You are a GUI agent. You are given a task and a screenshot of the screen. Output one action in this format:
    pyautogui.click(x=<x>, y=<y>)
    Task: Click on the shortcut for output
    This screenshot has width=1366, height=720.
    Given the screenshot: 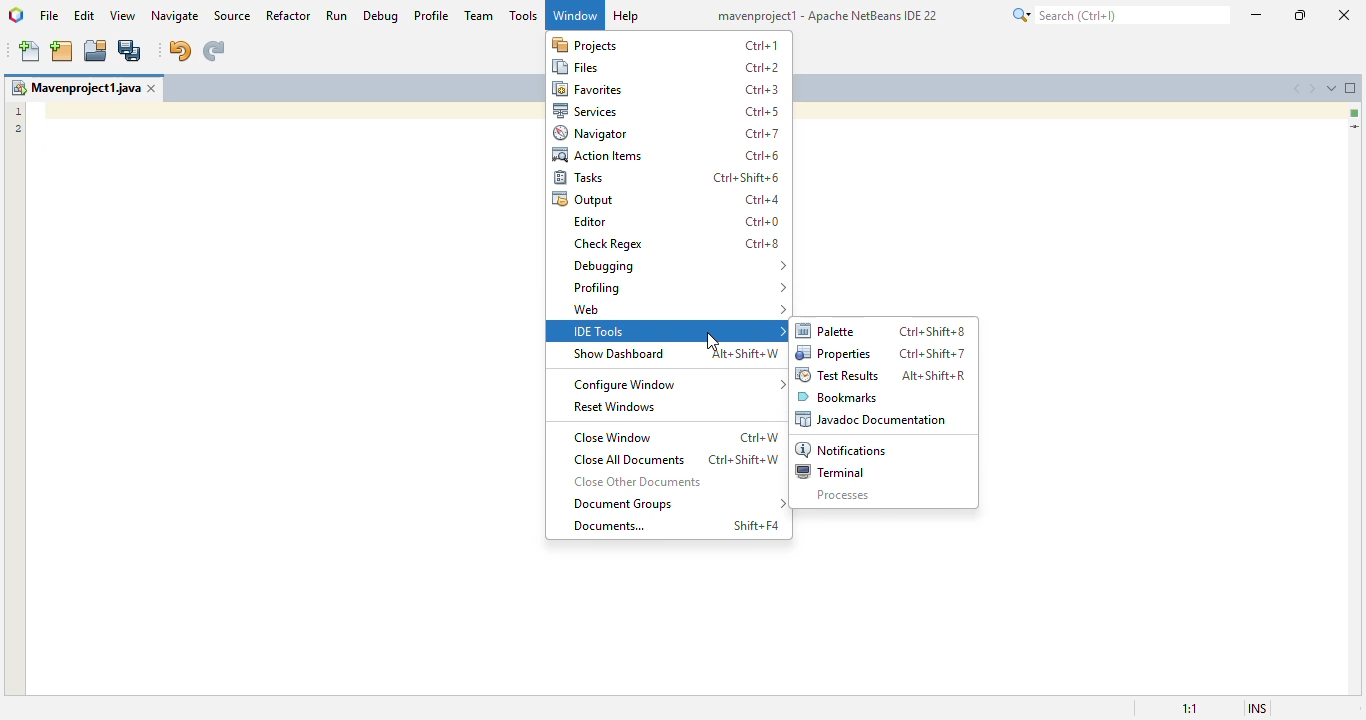 What is the action you would take?
    pyautogui.click(x=762, y=199)
    